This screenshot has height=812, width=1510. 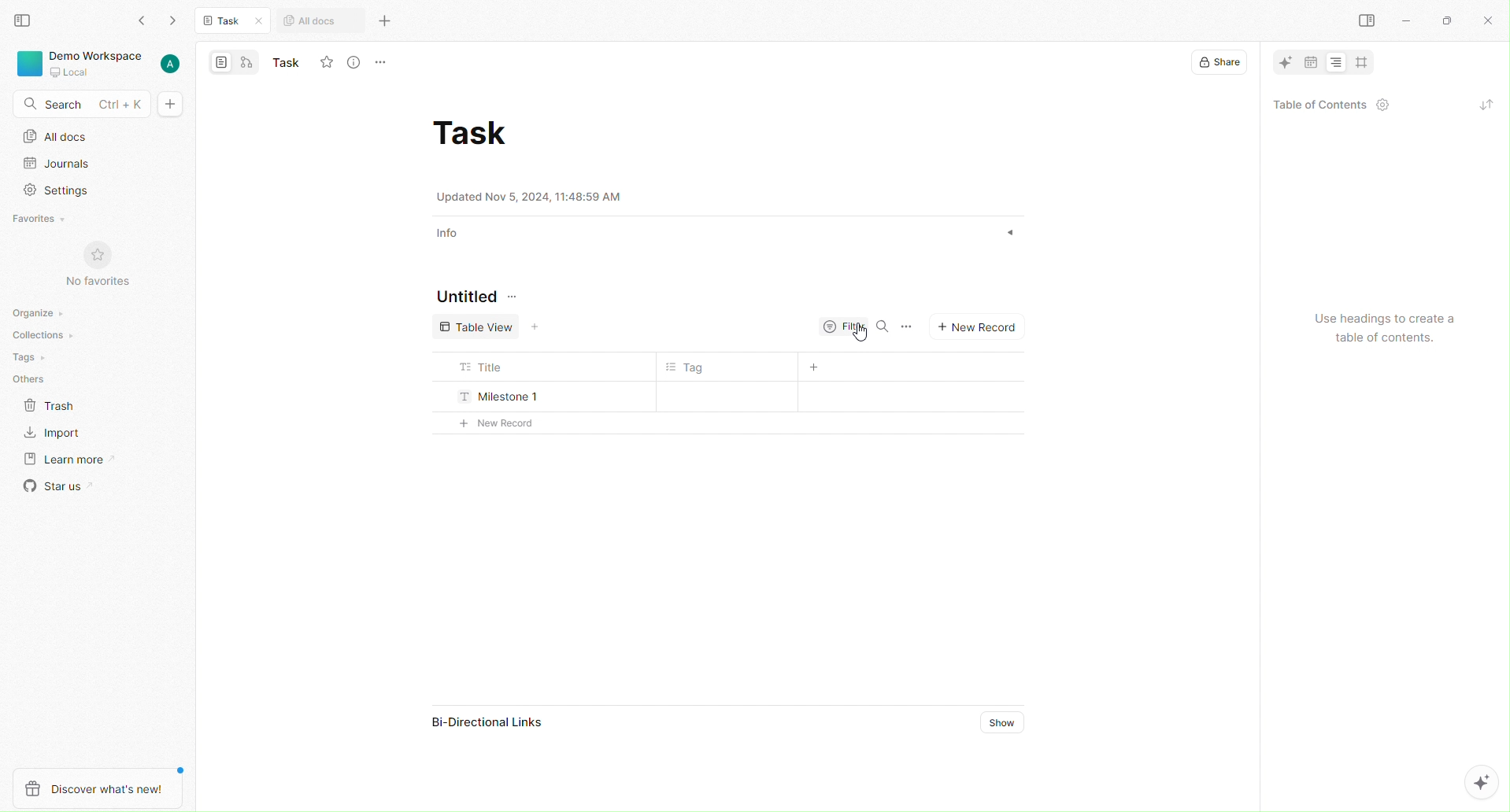 I want to click on Organize, so click(x=34, y=312).